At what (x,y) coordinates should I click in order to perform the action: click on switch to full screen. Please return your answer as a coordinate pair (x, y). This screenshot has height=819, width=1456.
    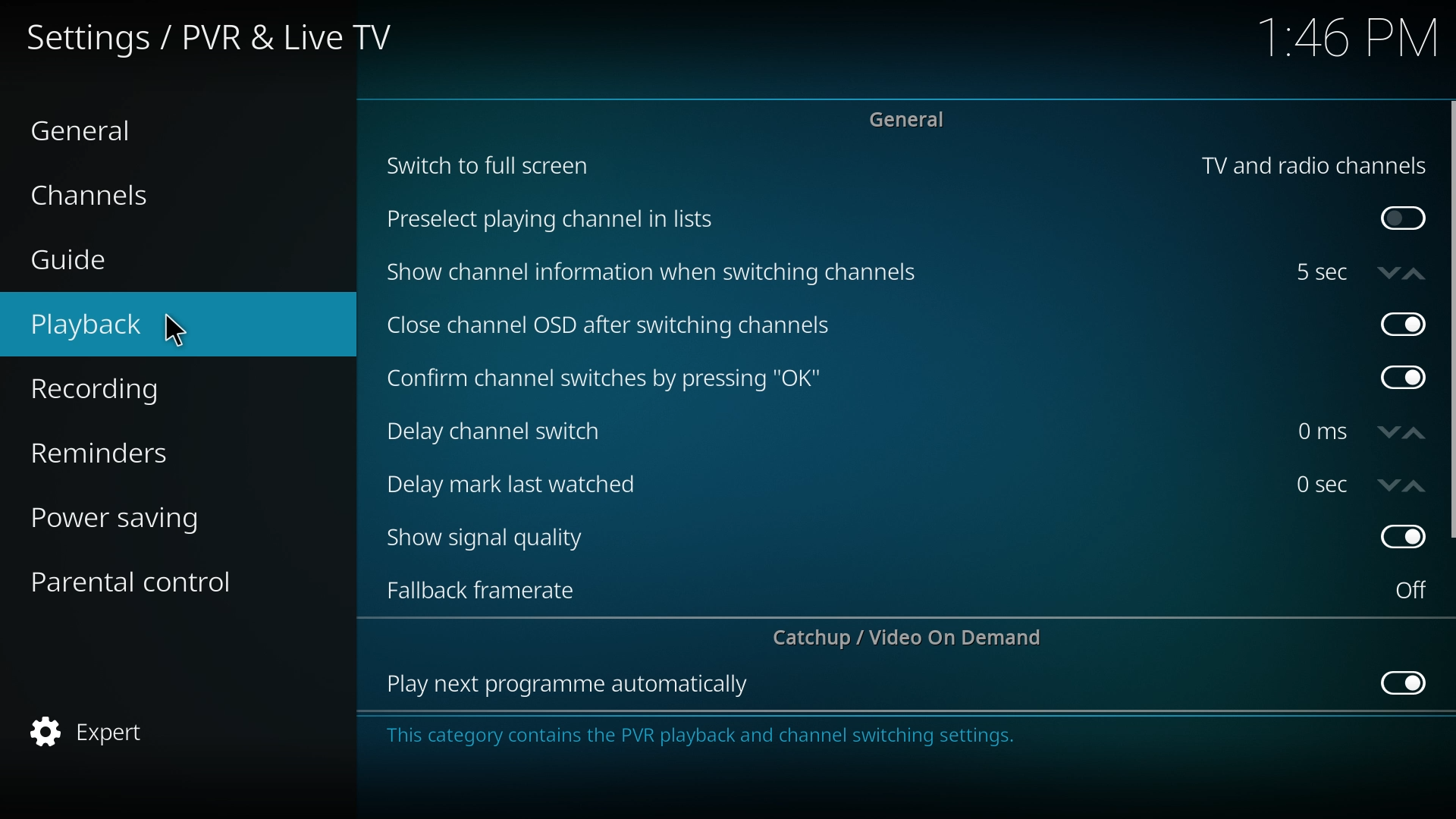
    Looking at the image, I should click on (490, 164).